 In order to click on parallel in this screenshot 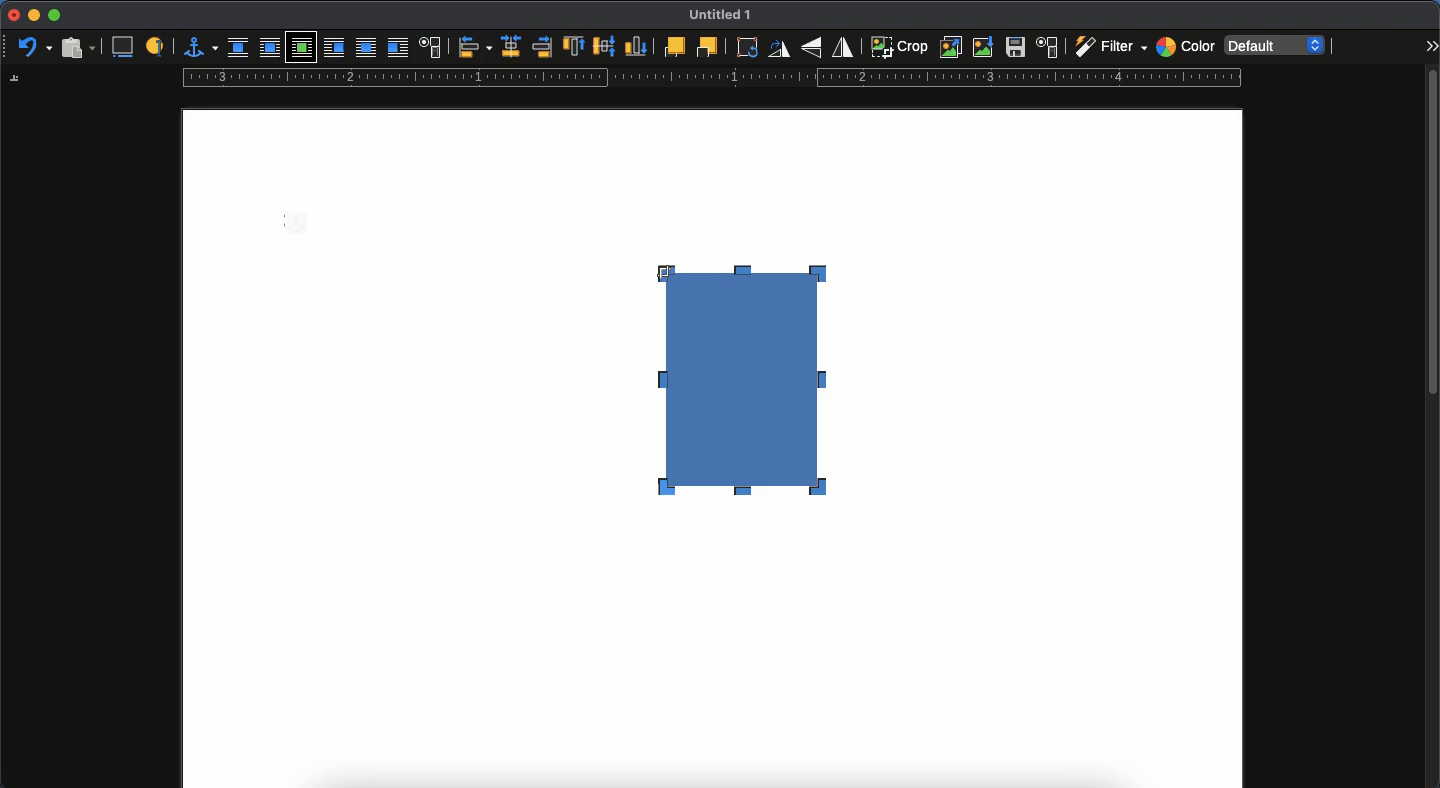, I will do `click(272, 50)`.